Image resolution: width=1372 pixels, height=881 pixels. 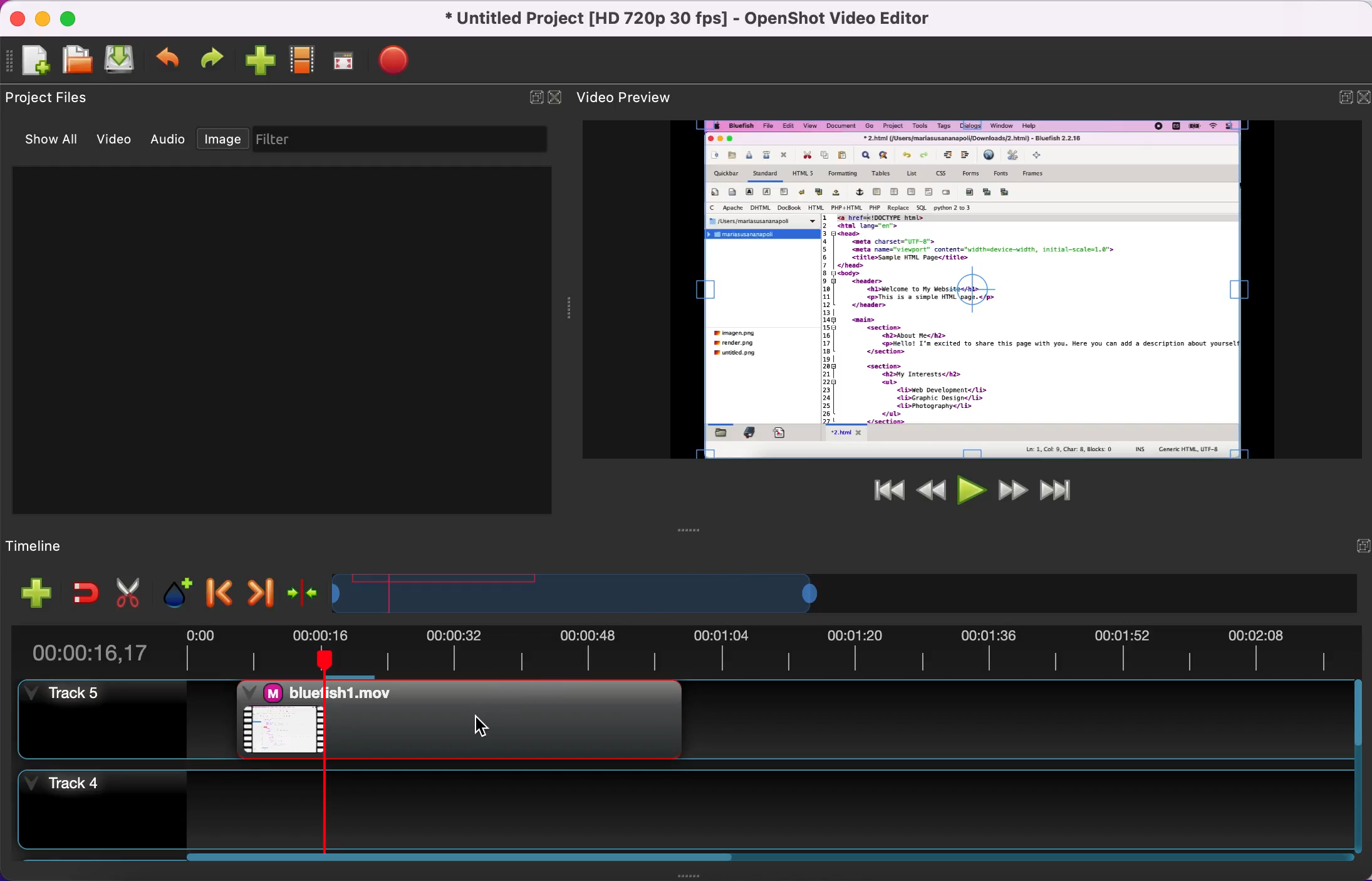 What do you see at coordinates (454, 719) in the screenshot?
I see `video clip` at bounding box center [454, 719].